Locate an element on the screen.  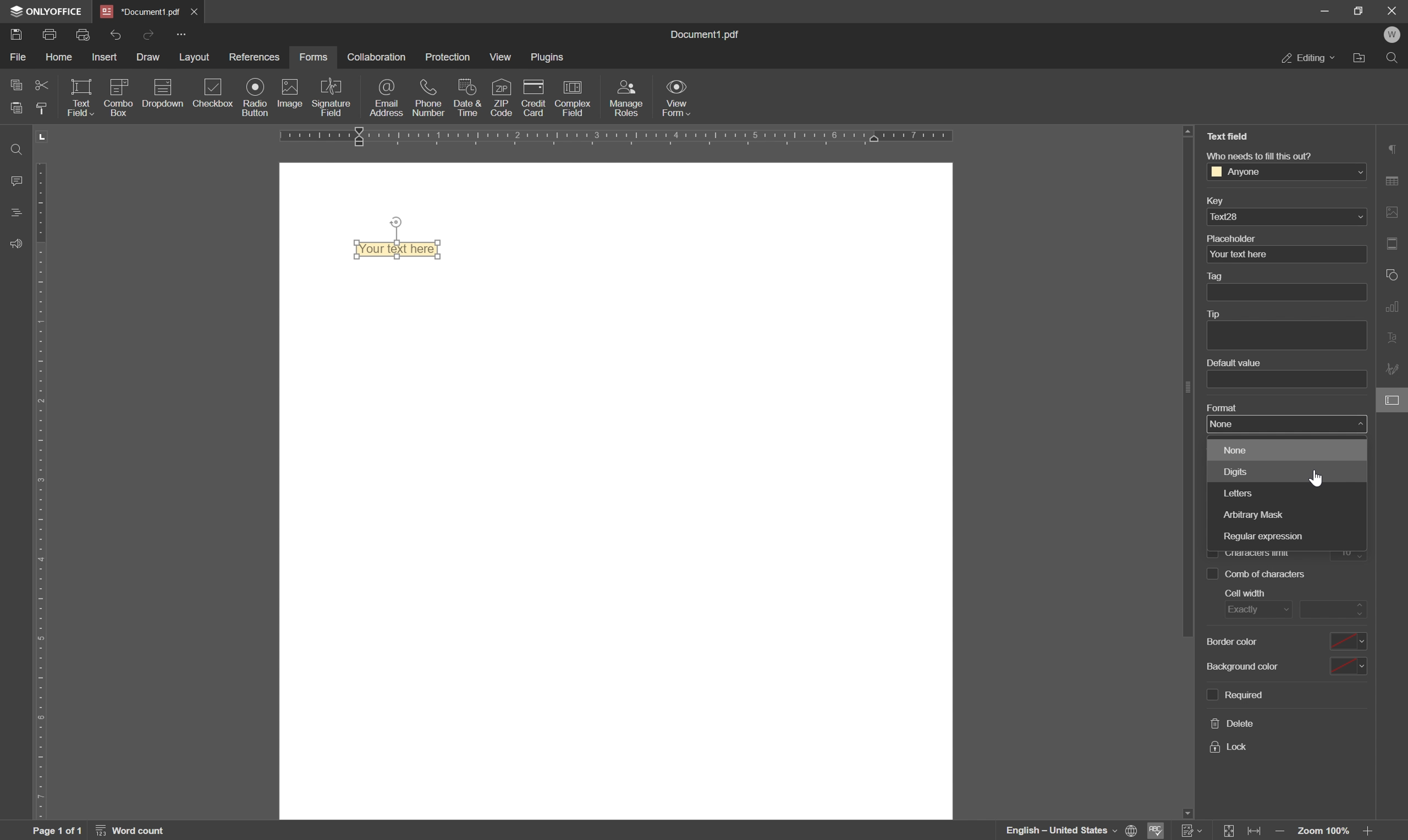
spell checking is located at coordinates (1158, 830).